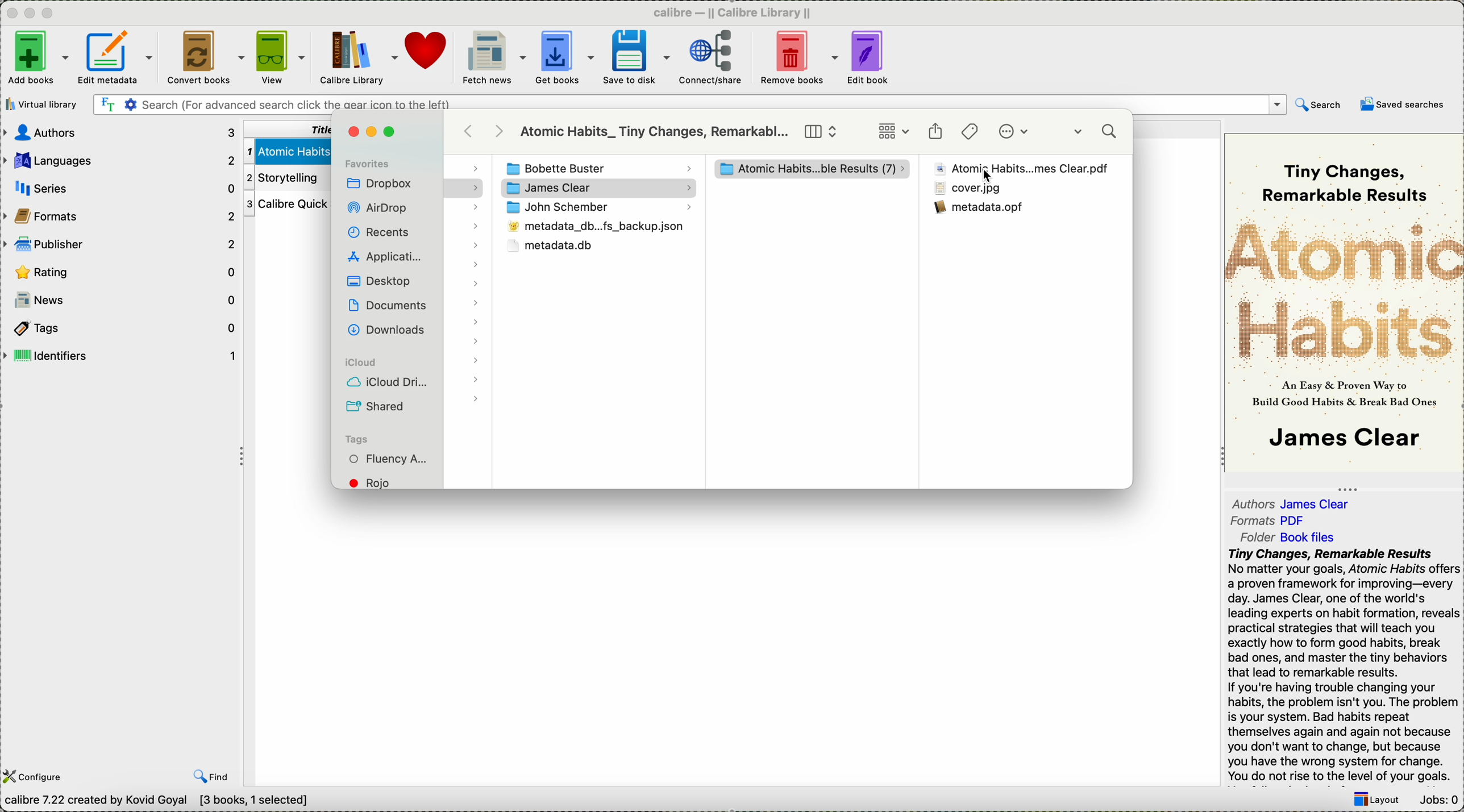 Image resolution: width=1464 pixels, height=812 pixels. Describe the element at coordinates (380, 209) in the screenshot. I see `AirDrop` at that location.